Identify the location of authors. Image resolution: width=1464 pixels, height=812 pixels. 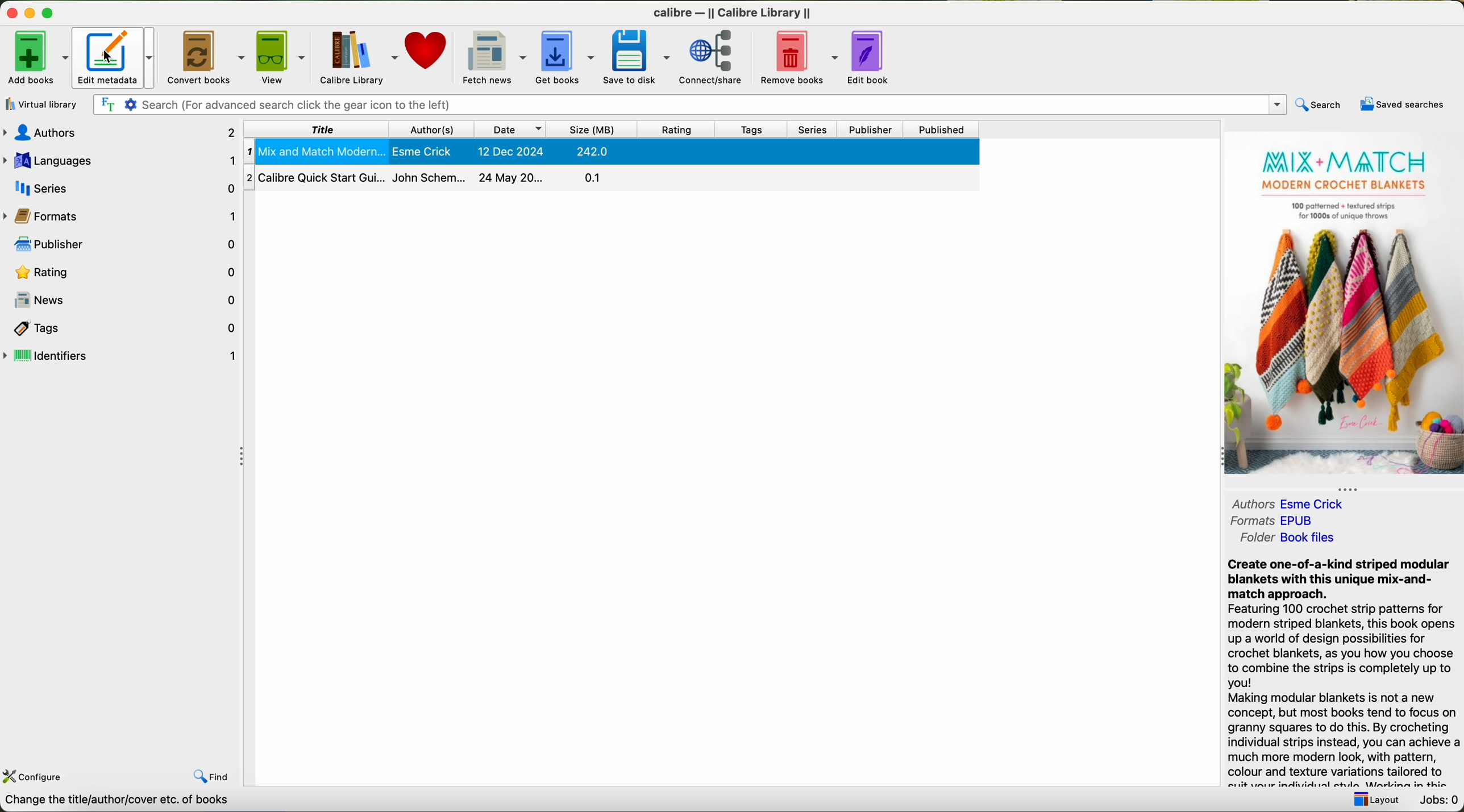
(1292, 505).